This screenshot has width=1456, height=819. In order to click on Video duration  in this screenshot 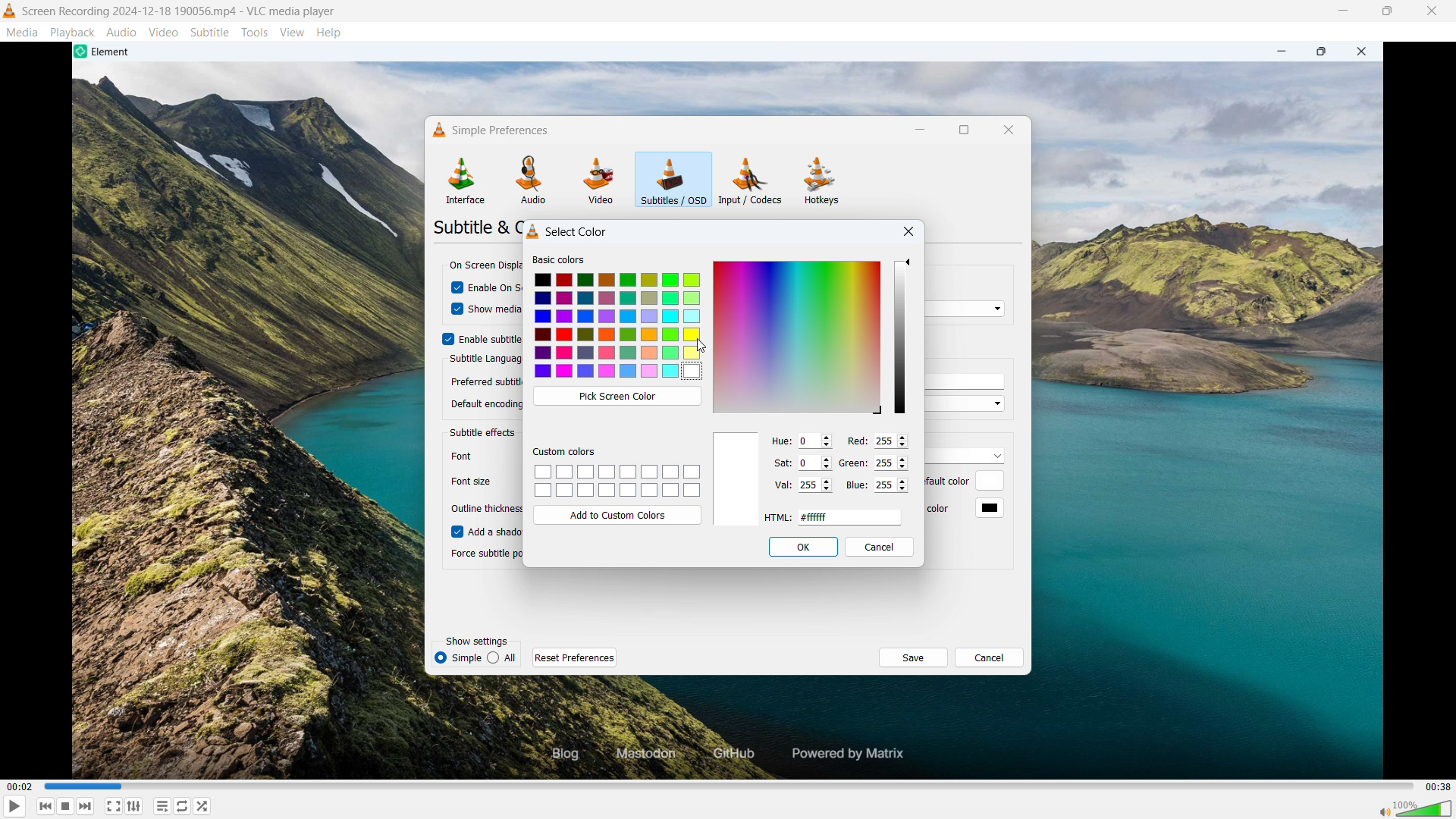, I will do `click(1438, 787)`.